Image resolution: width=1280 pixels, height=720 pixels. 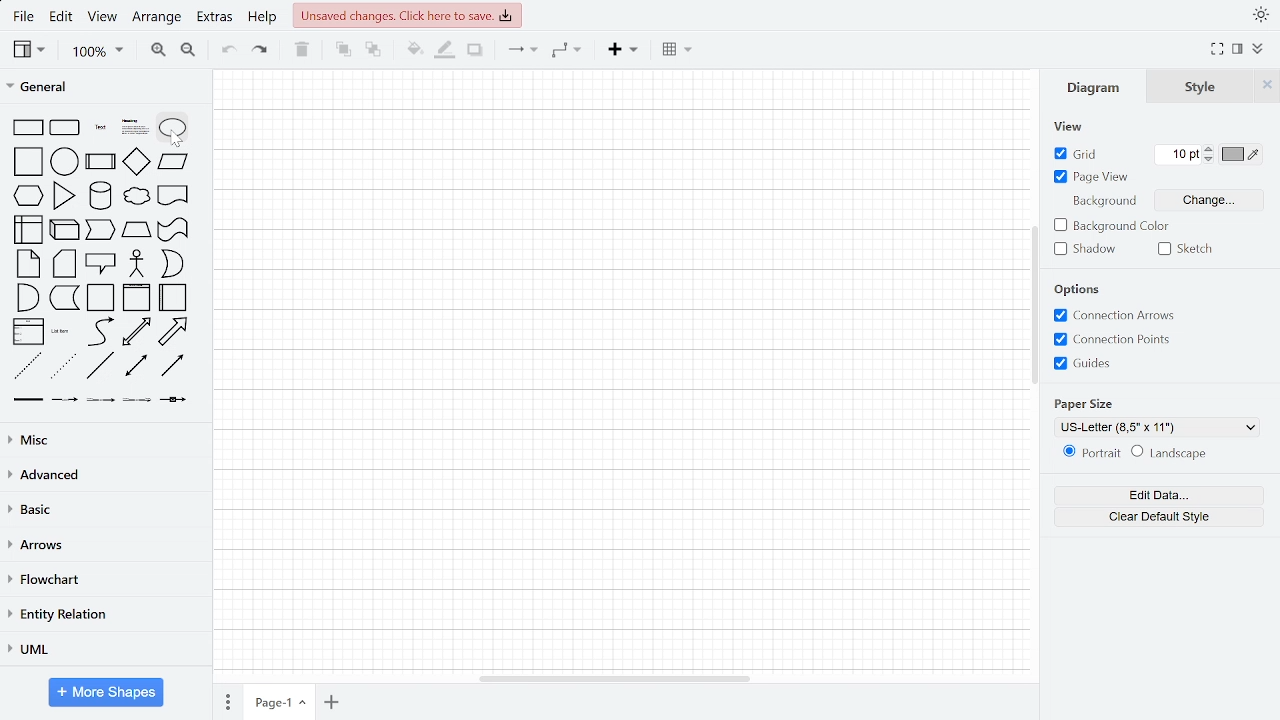 I want to click on connector with 3 label, so click(x=137, y=402).